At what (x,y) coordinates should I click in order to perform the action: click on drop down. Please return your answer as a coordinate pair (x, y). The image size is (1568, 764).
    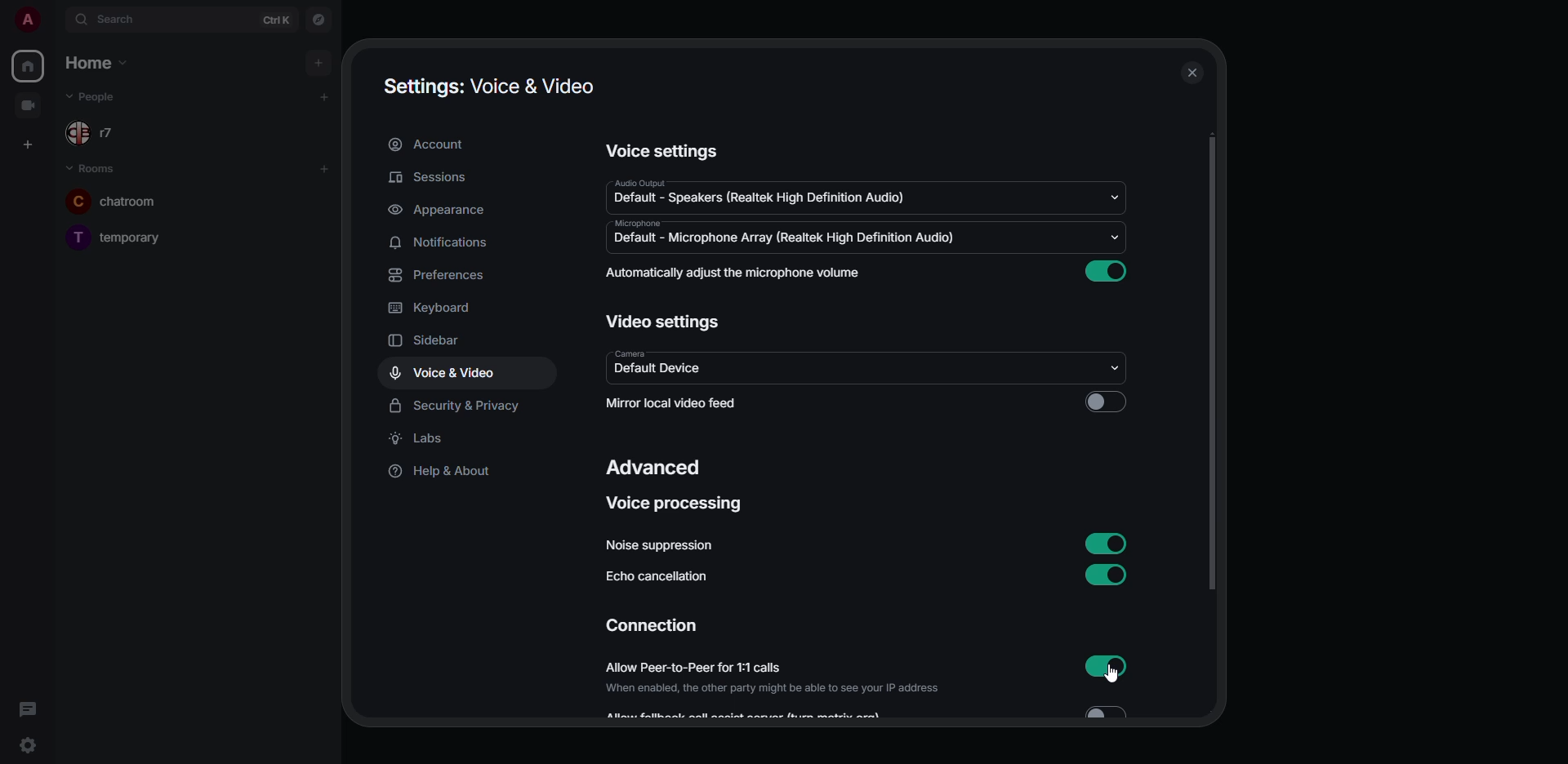
    Looking at the image, I should click on (1112, 240).